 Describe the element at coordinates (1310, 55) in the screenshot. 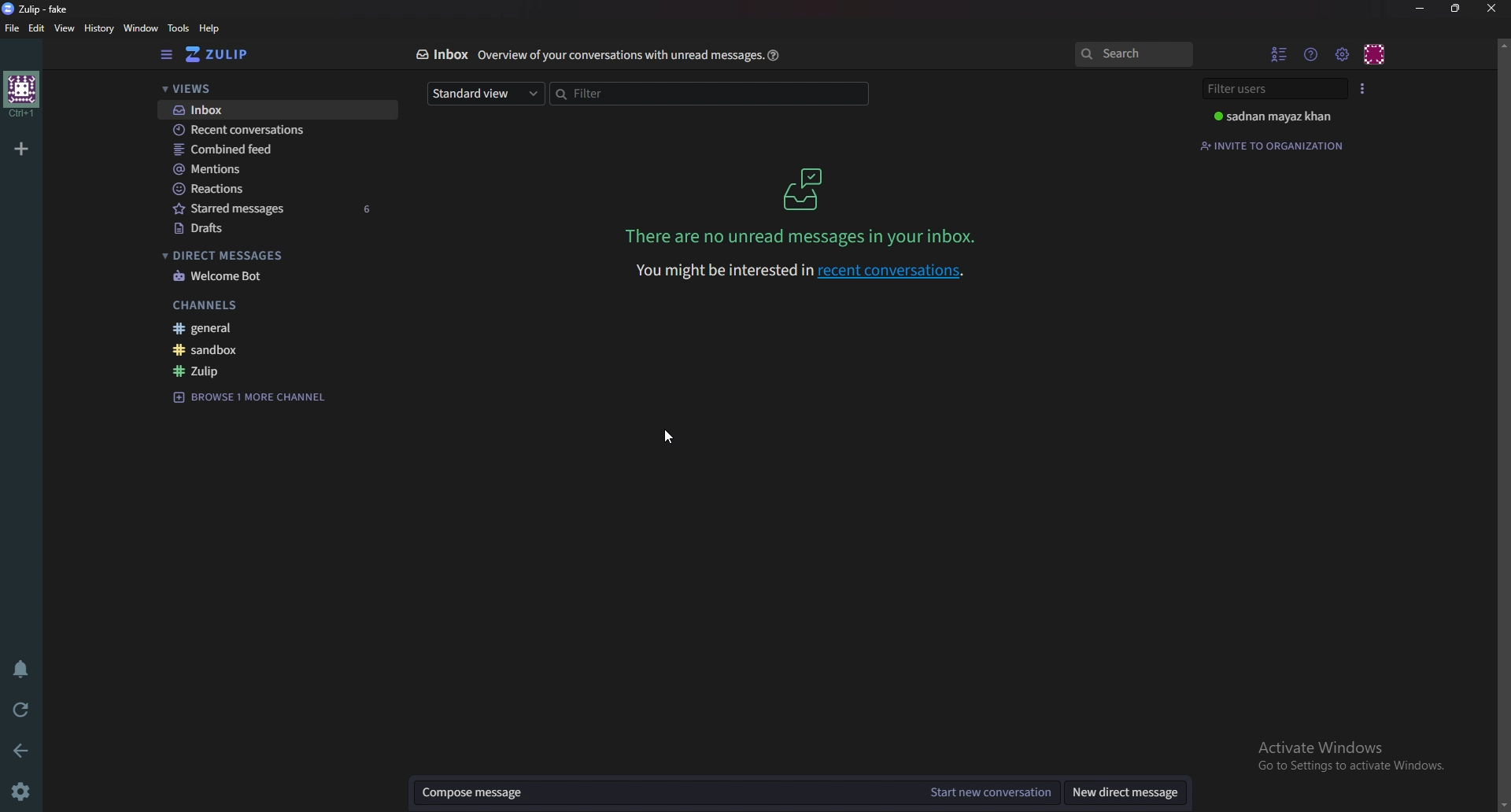

I see `help menu` at that location.